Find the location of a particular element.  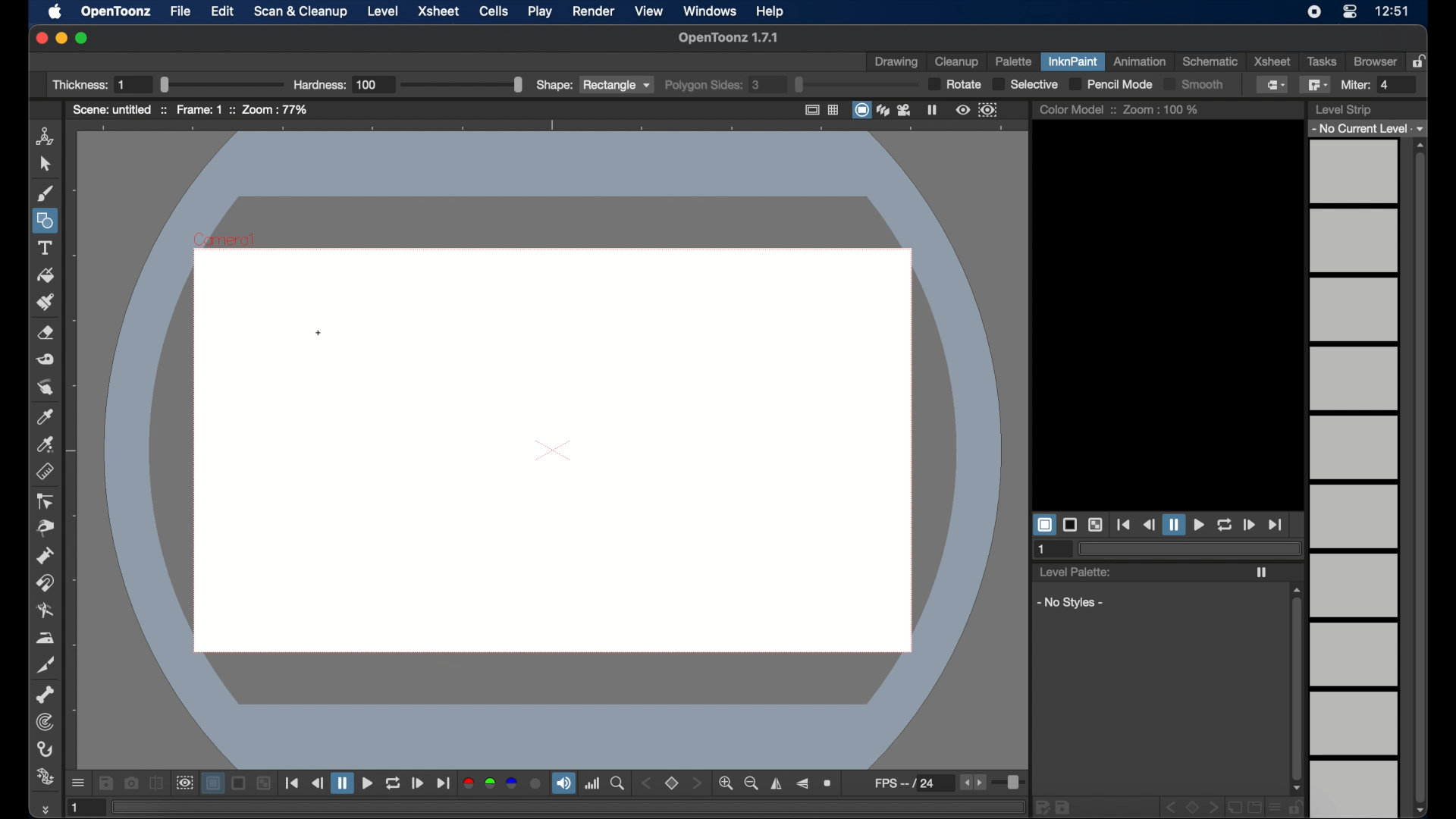

blender tool is located at coordinates (45, 612).